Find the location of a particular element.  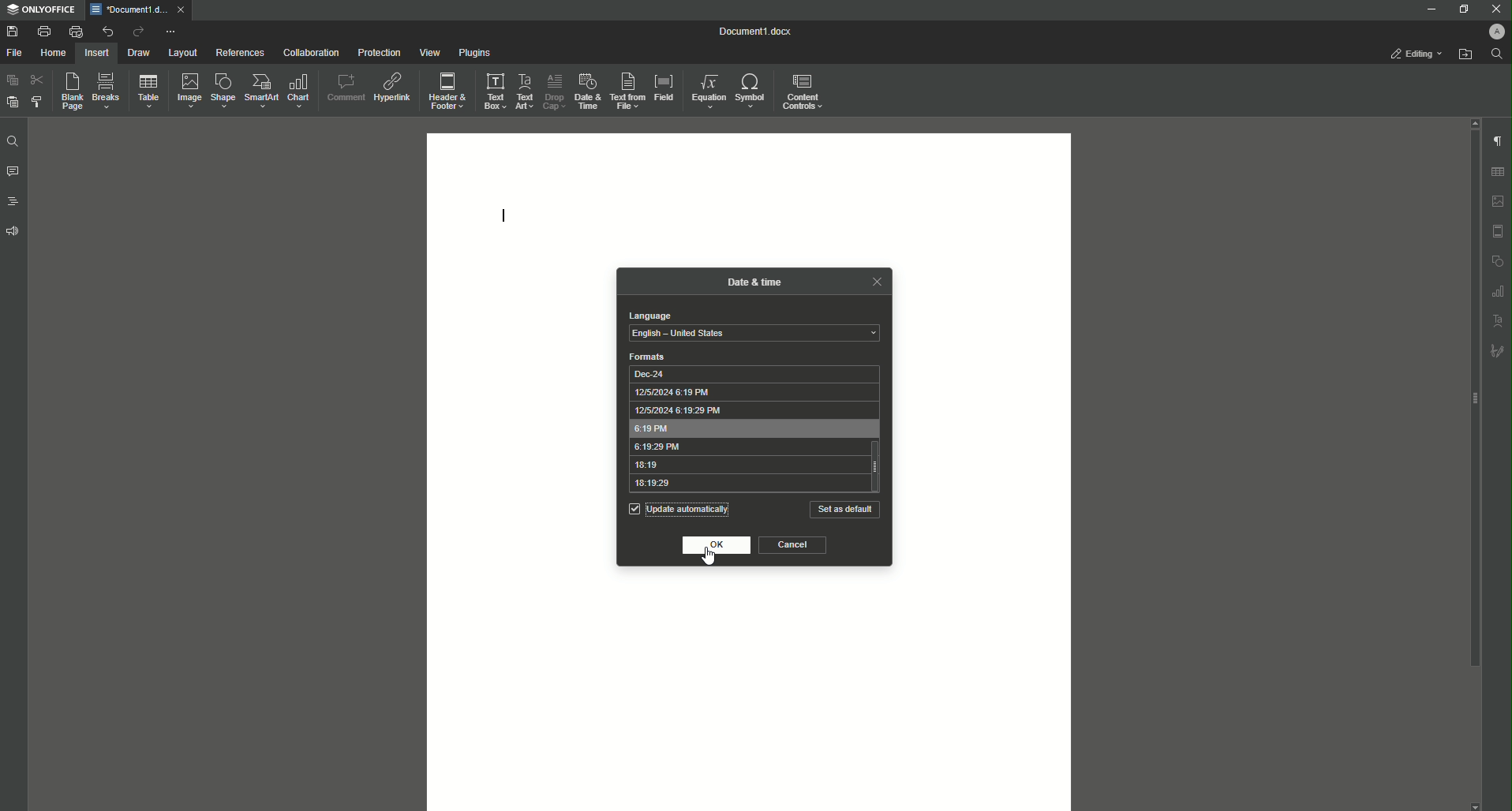

date & time is located at coordinates (755, 280).